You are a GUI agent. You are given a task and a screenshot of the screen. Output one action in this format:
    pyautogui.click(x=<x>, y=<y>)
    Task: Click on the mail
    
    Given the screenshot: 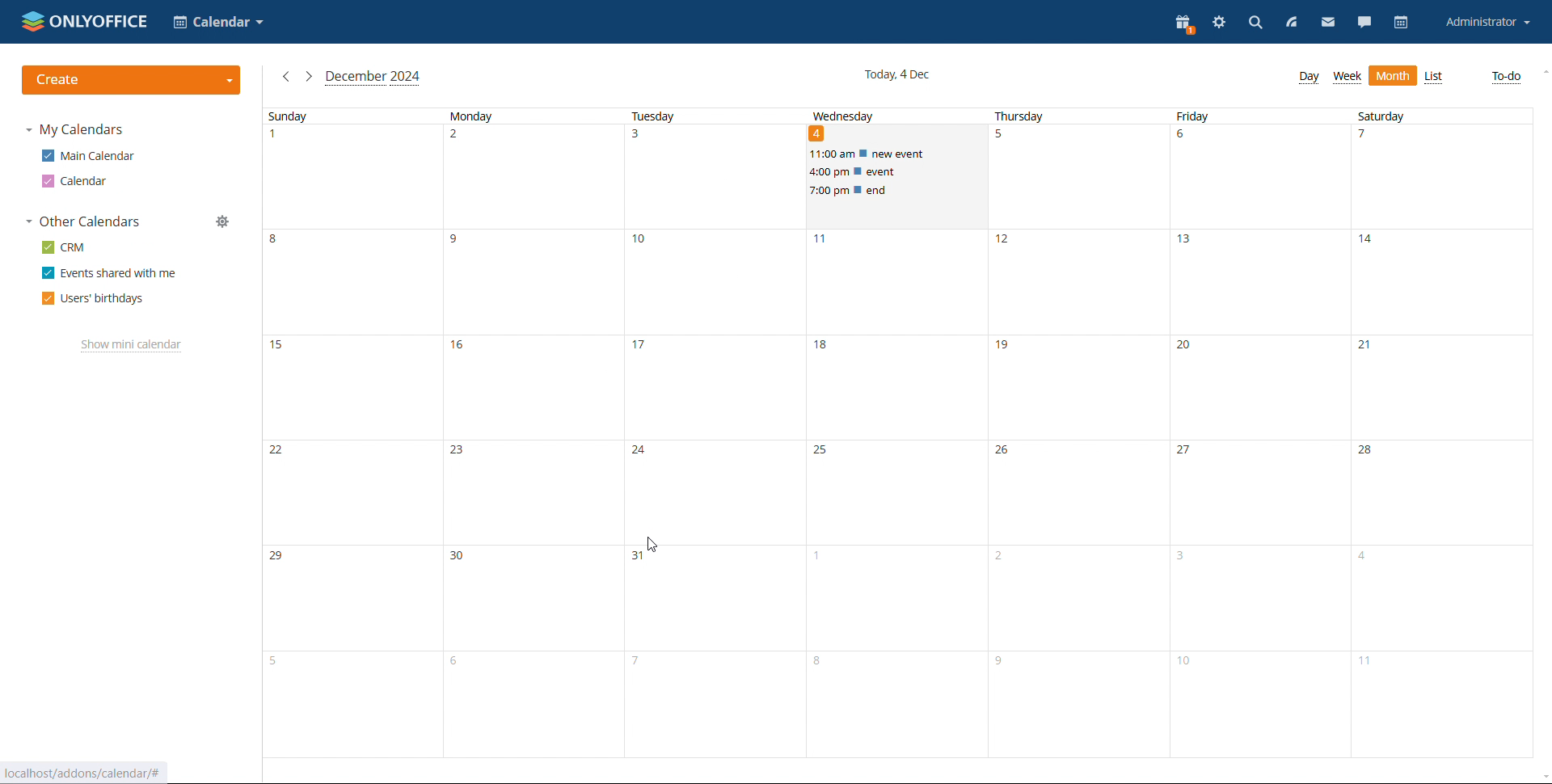 What is the action you would take?
    pyautogui.click(x=1327, y=21)
    